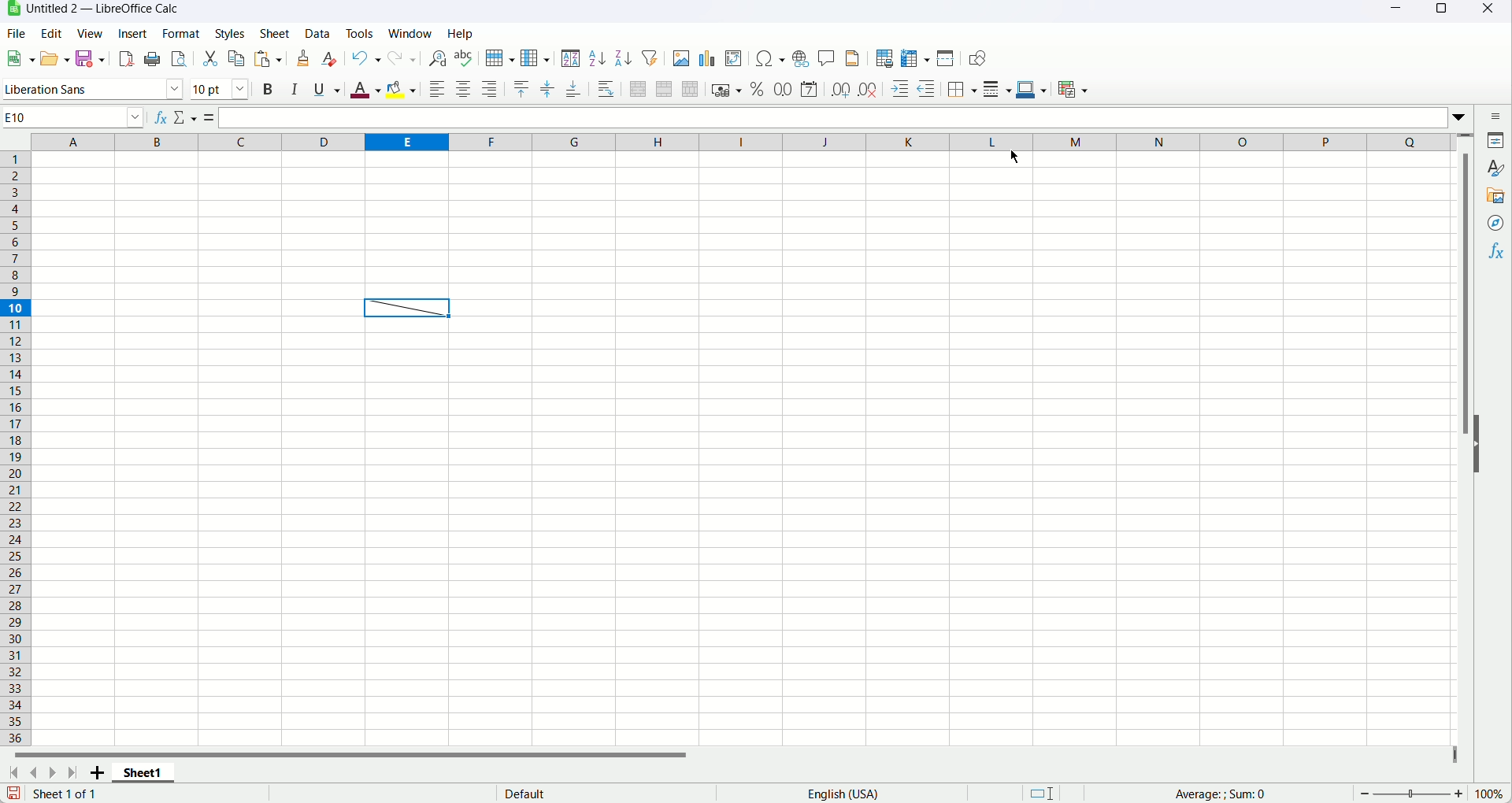  Describe the element at coordinates (461, 33) in the screenshot. I see `Help` at that location.